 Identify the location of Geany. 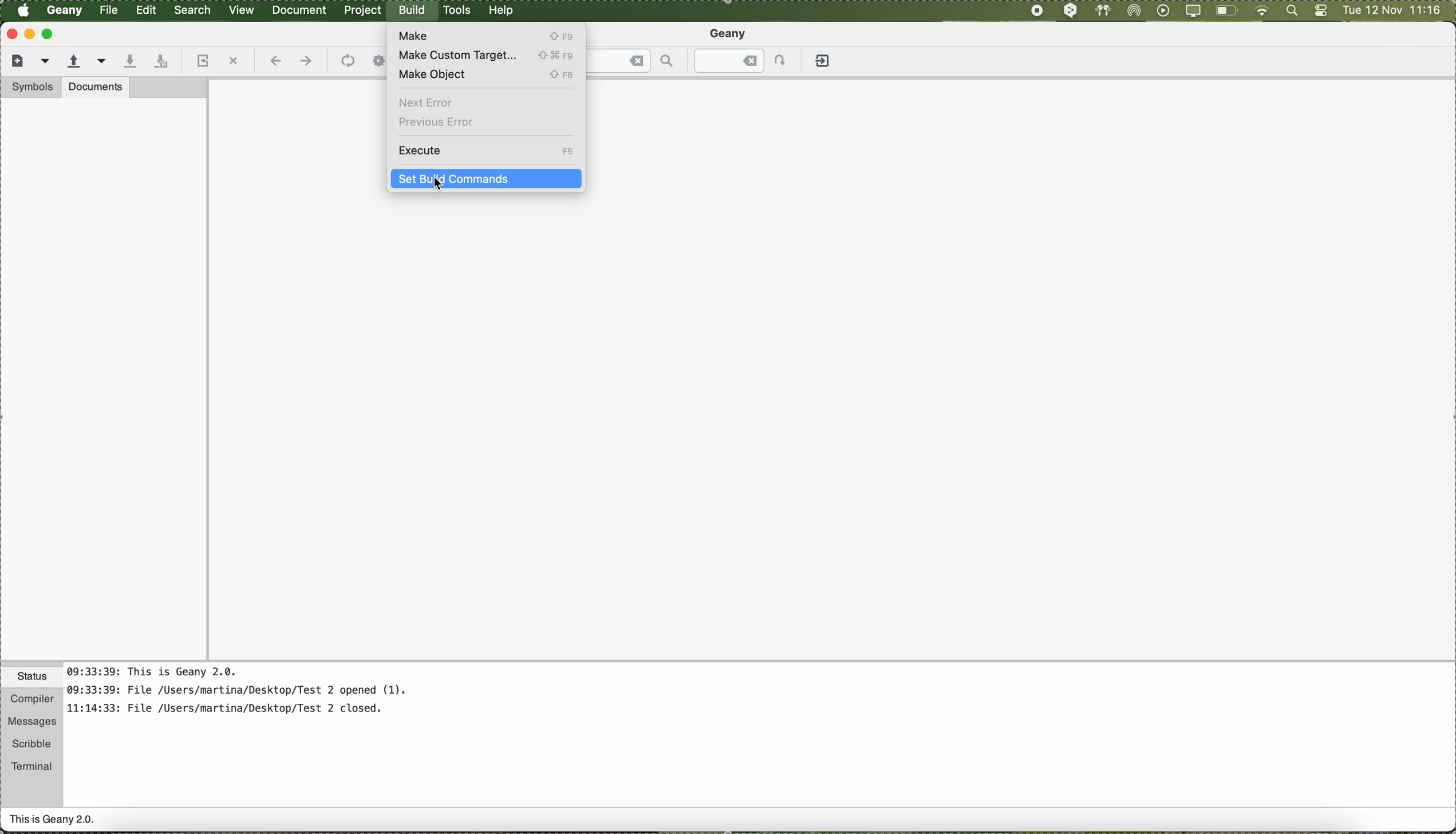
(730, 35).